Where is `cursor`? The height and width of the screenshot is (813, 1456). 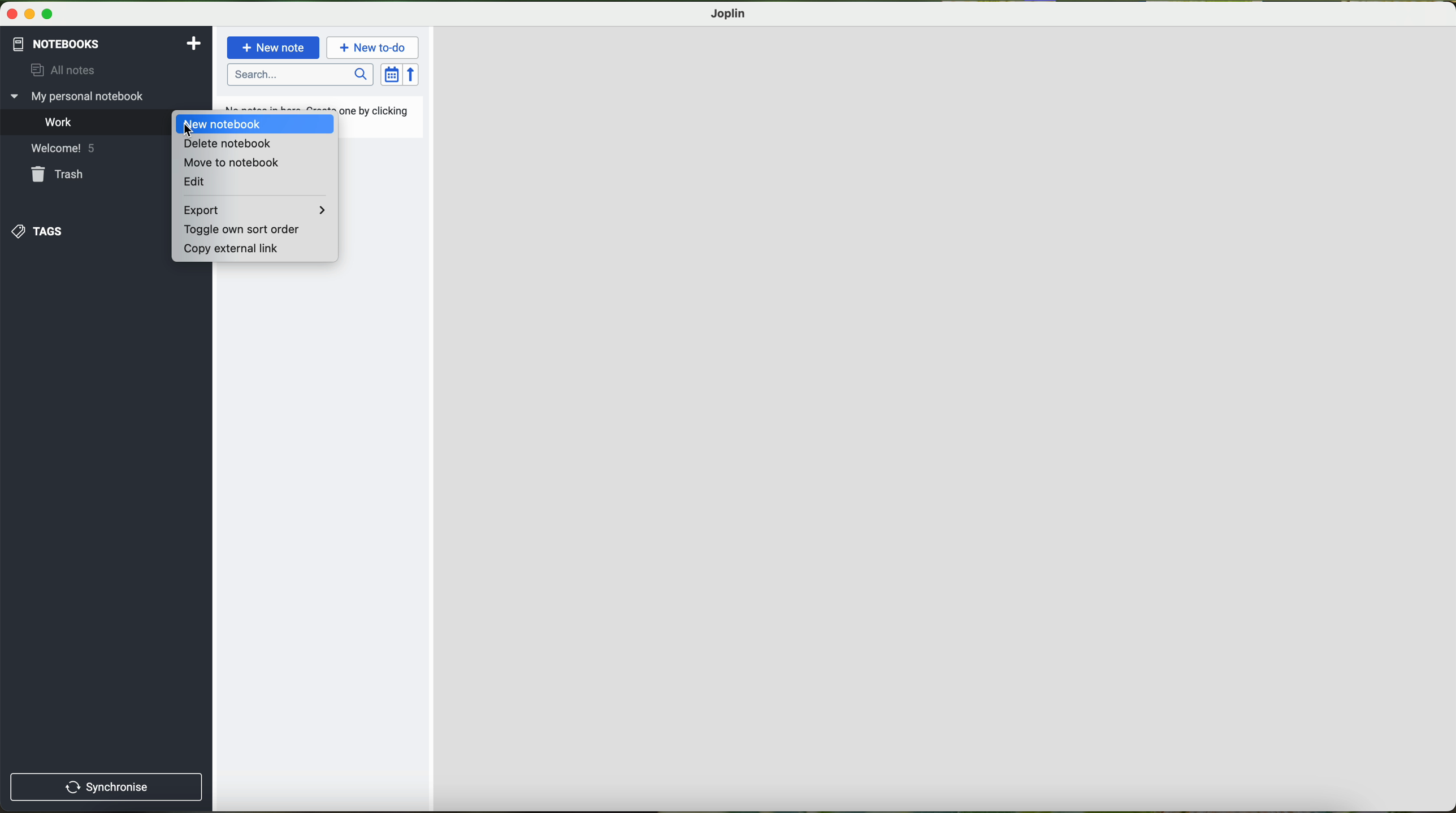 cursor is located at coordinates (188, 129).